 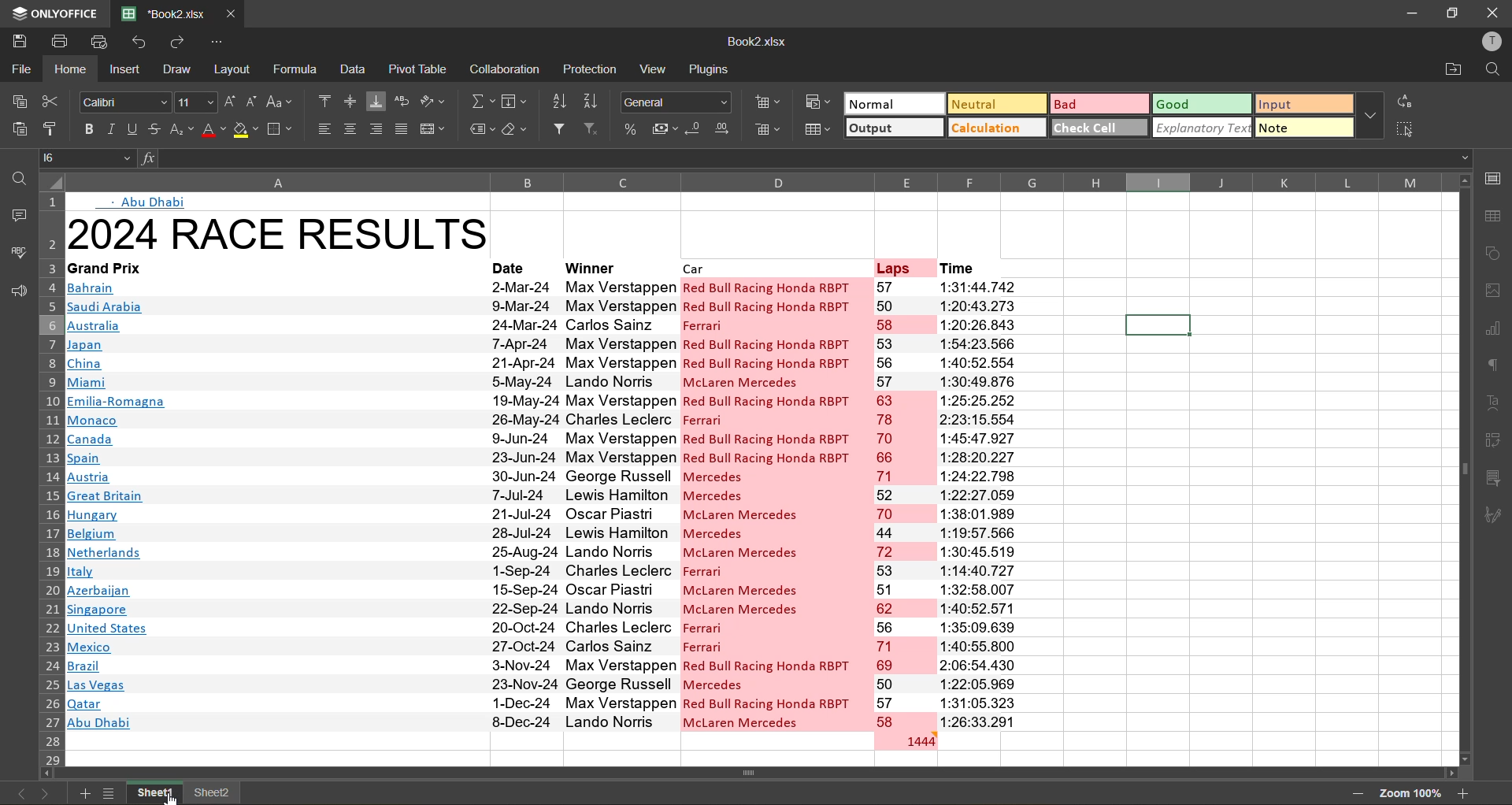 What do you see at coordinates (1497, 516) in the screenshot?
I see `signature` at bounding box center [1497, 516].